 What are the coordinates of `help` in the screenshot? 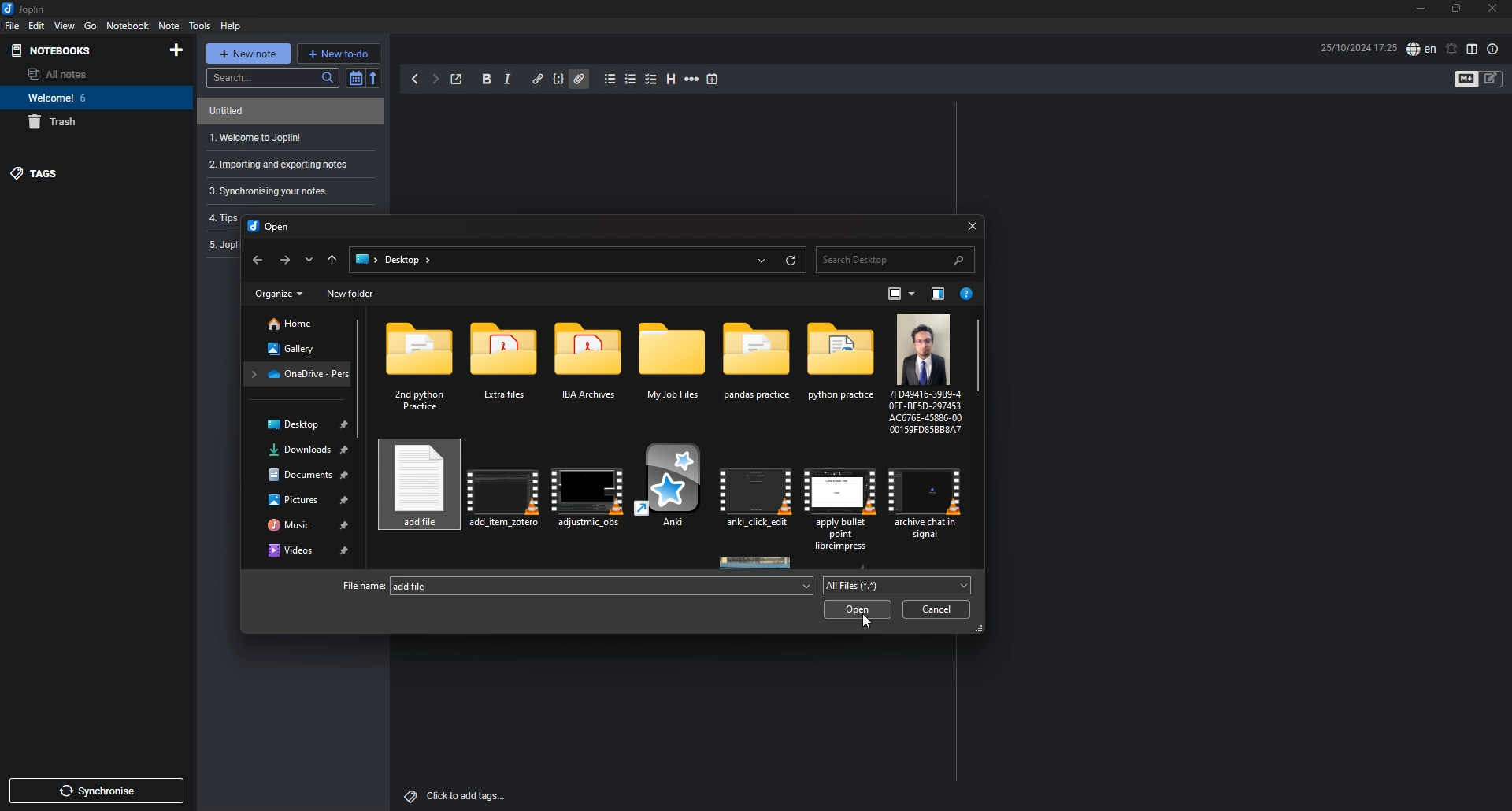 It's located at (231, 26).